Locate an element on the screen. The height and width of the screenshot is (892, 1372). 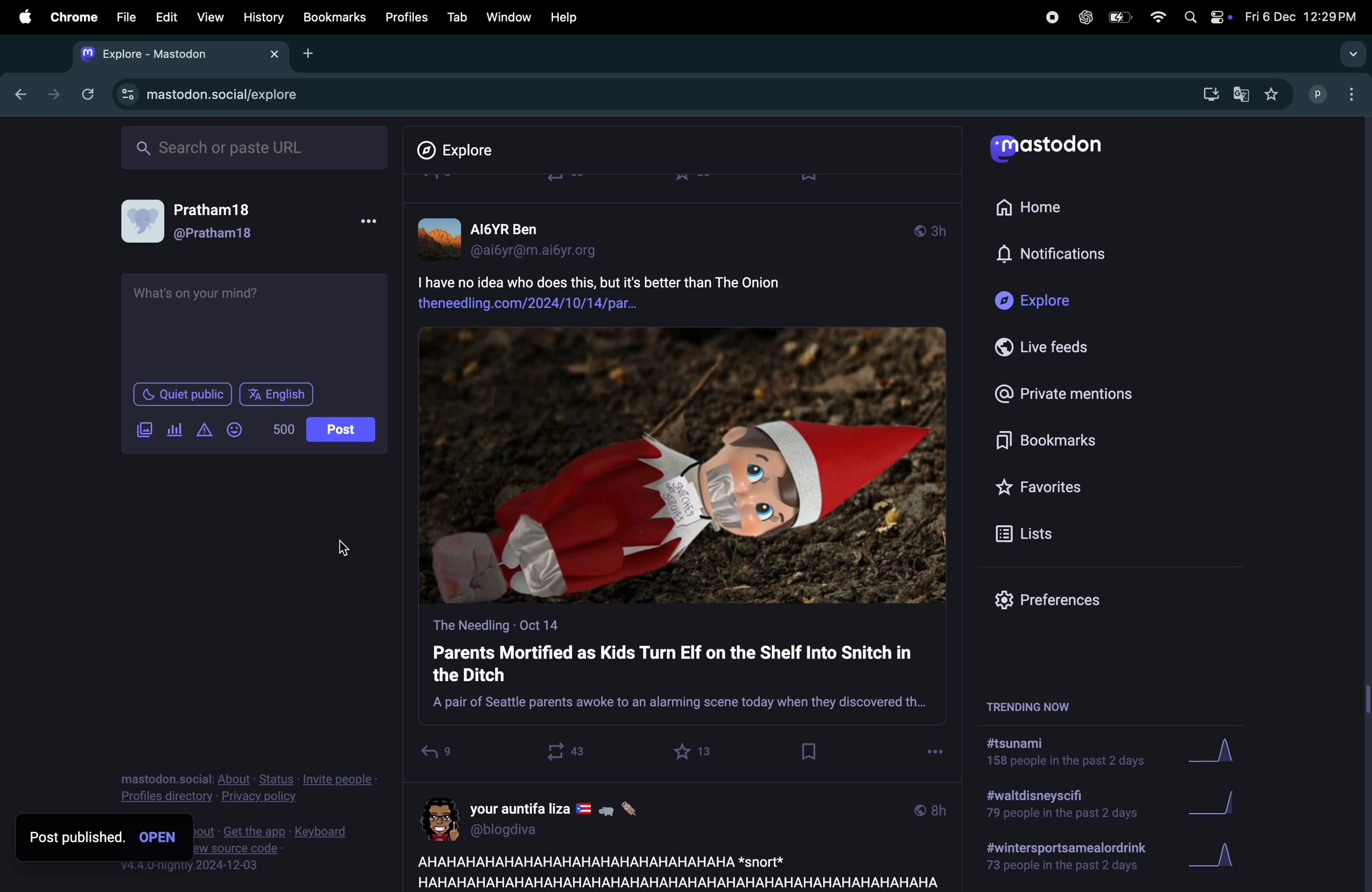
Window is located at coordinates (507, 17).